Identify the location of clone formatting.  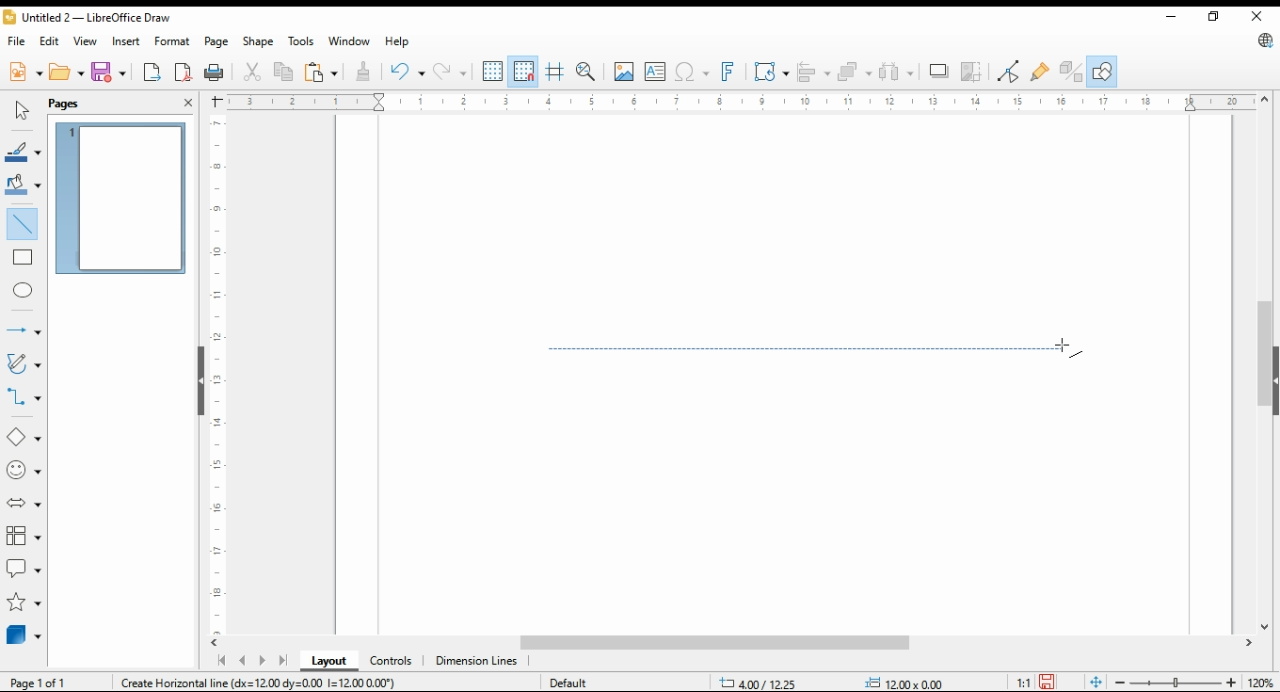
(367, 72).